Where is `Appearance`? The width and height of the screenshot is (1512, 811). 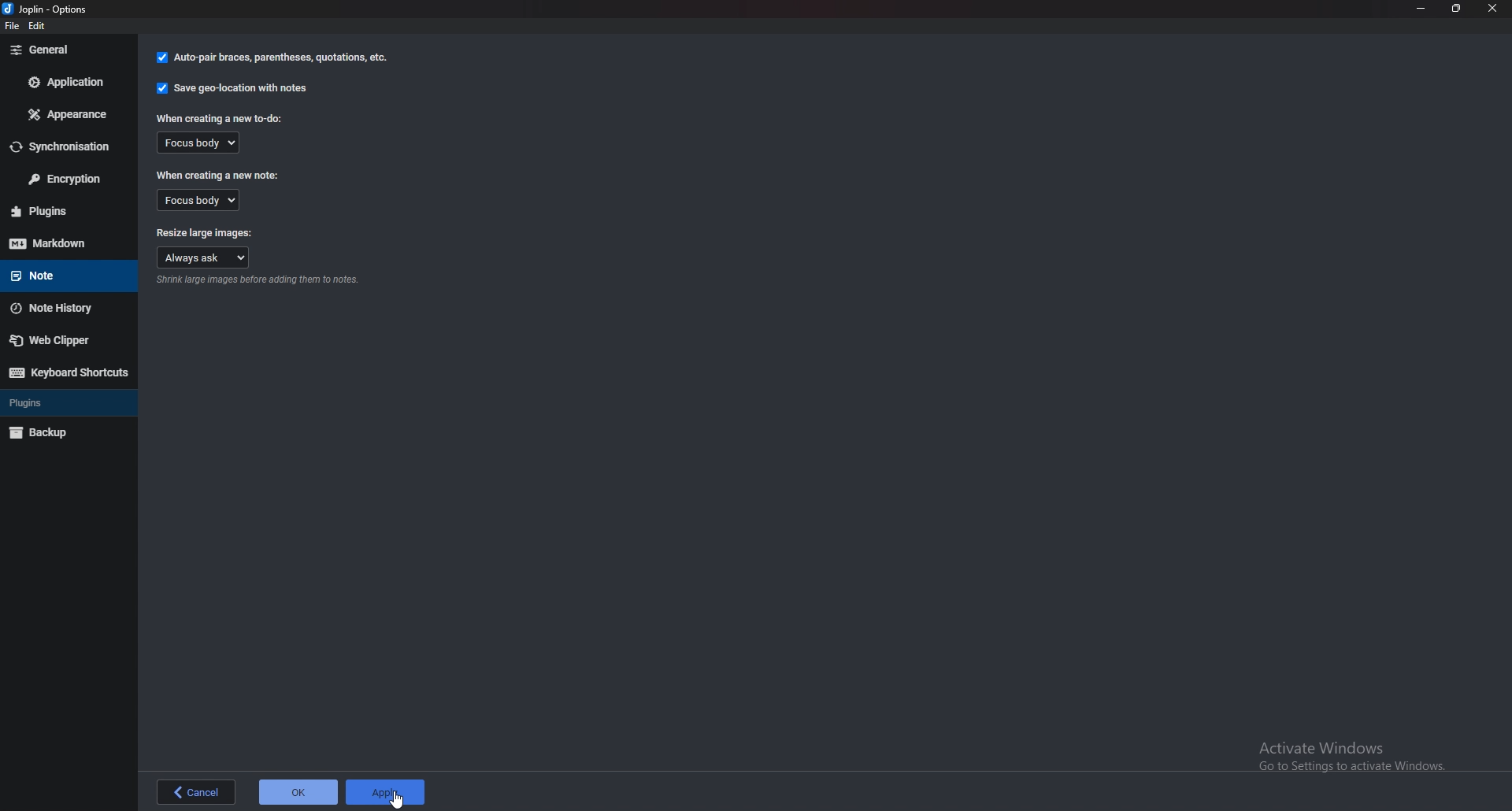
Appearance is located at coordinates (72, 114).